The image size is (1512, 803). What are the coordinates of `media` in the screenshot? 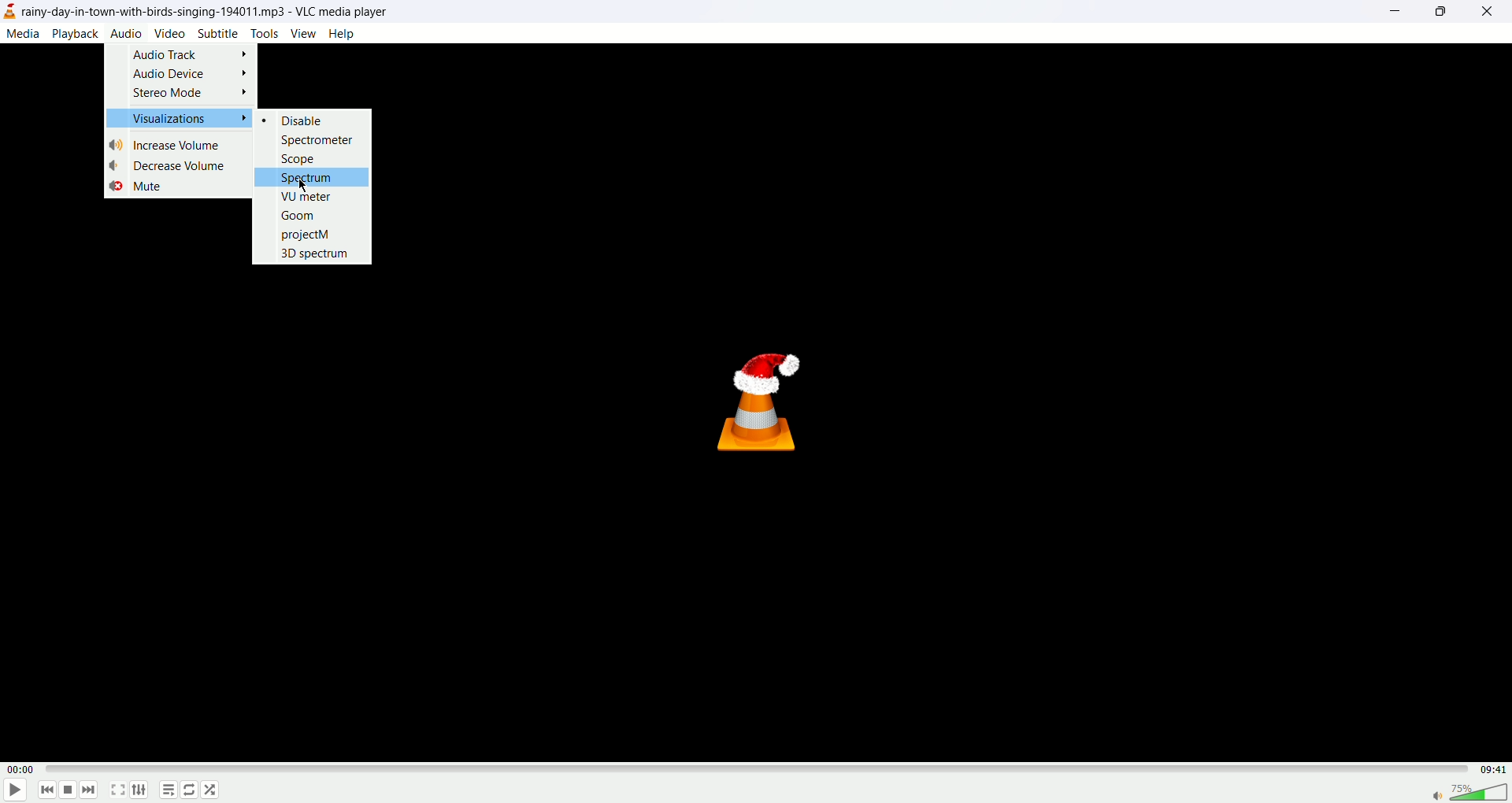 It's located at (24, 35).